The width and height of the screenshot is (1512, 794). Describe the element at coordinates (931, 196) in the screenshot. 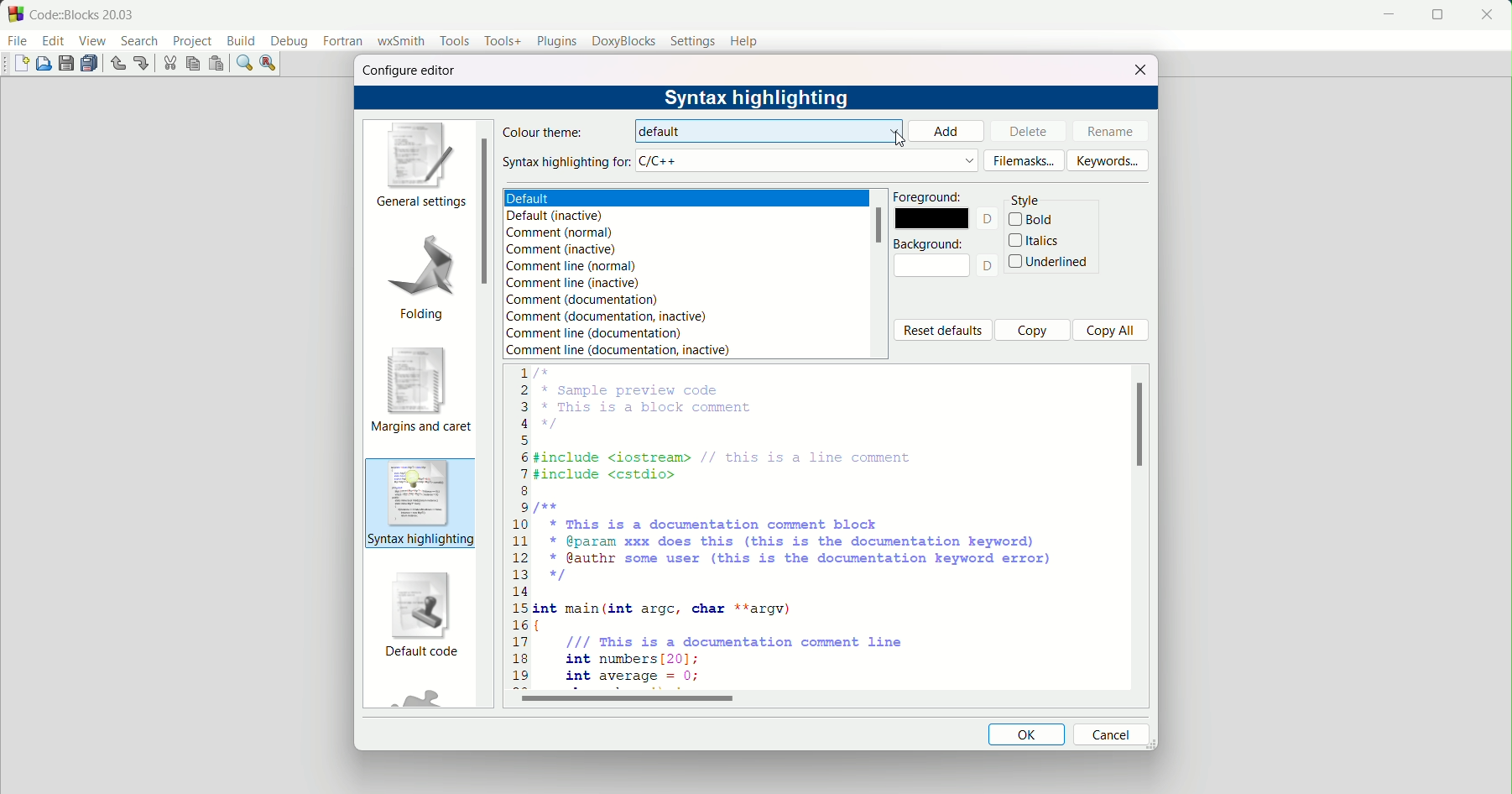

I see `foreground` at that location.